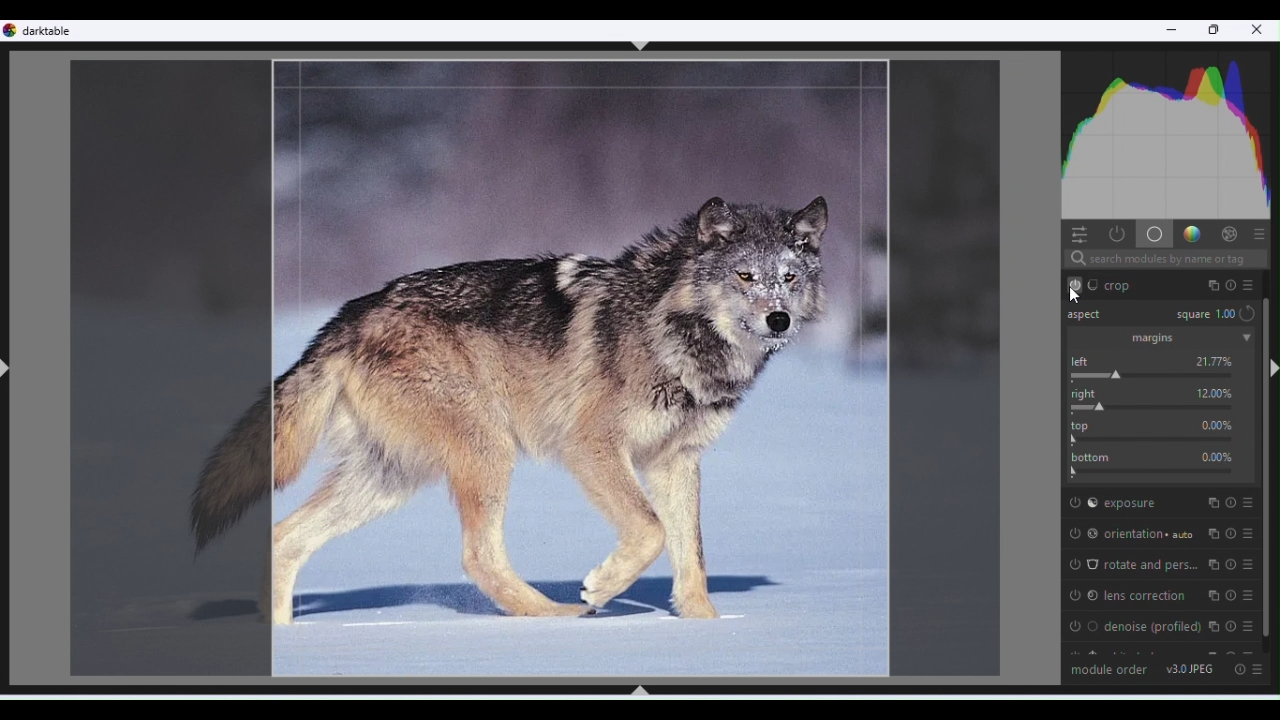  Describe the element at coordinates (1169, 131) in the screenshot. I see `Histogram` at that location.